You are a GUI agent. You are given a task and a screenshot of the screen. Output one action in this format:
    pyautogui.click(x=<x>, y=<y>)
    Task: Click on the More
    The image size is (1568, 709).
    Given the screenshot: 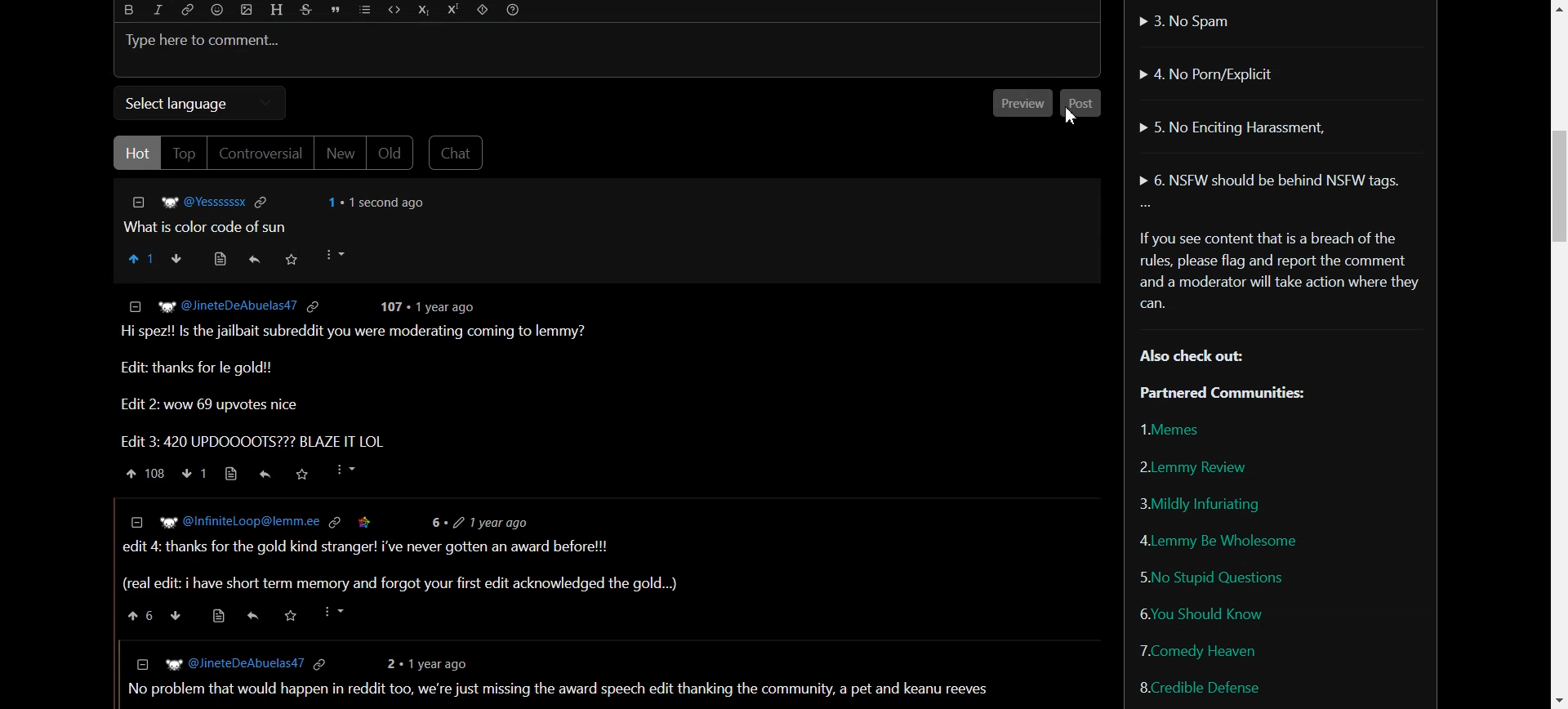 What is the action you would take?
    pyautogui.click(x=336, y=255)
    